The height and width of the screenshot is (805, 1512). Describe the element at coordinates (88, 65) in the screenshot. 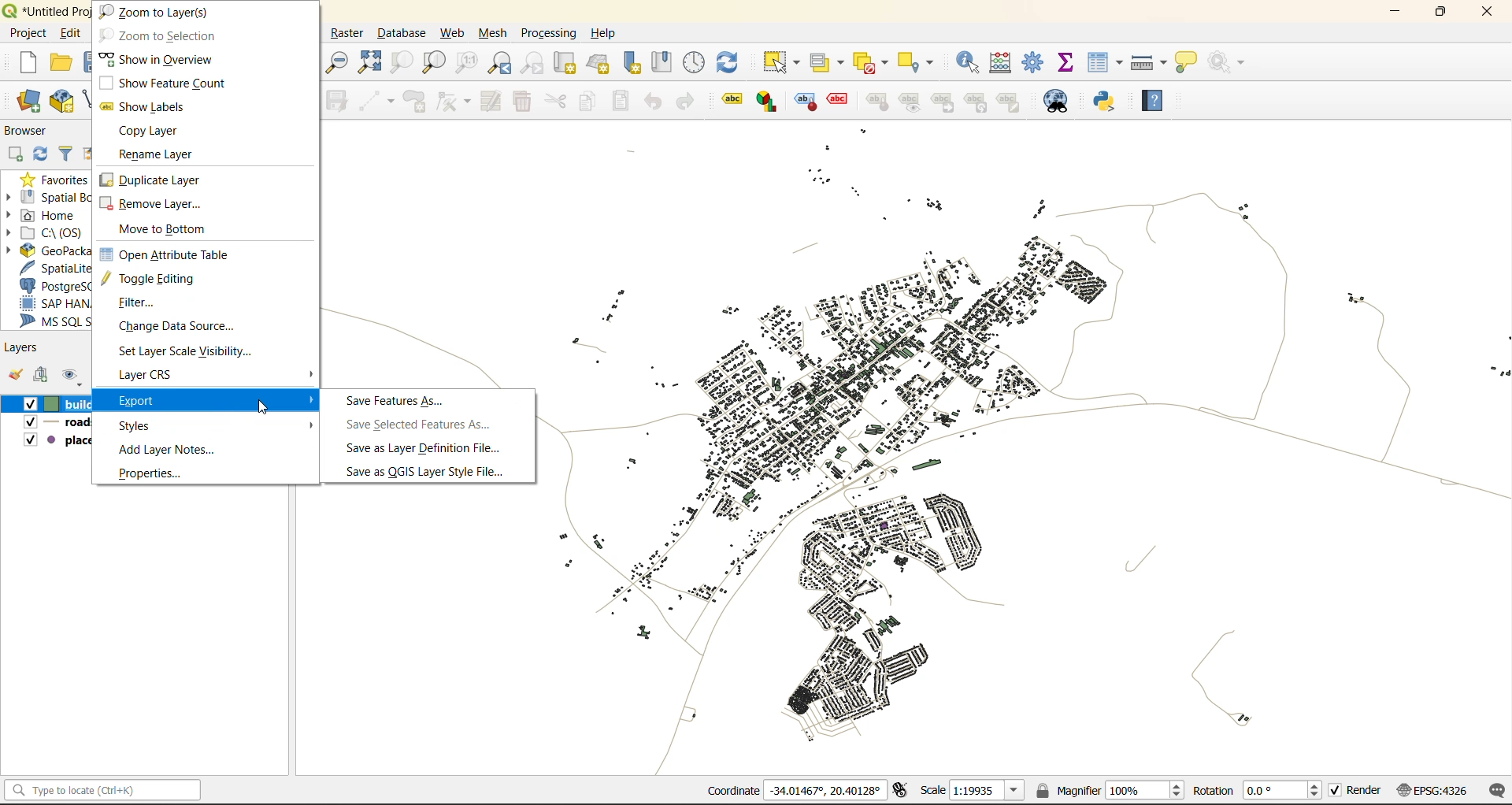

I see `save` at that location.